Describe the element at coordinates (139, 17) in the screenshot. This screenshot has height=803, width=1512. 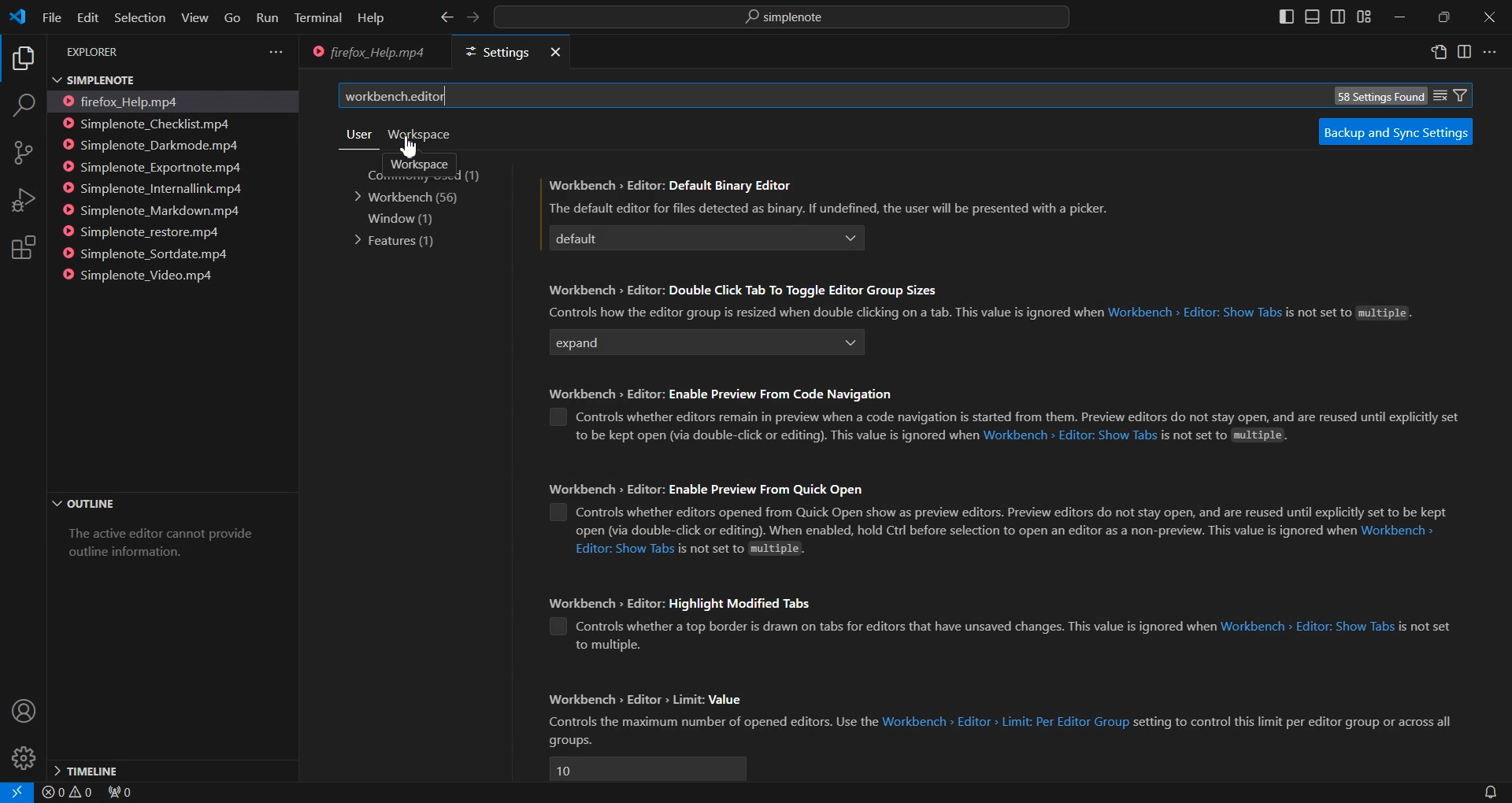
I see `Selection` at that location.